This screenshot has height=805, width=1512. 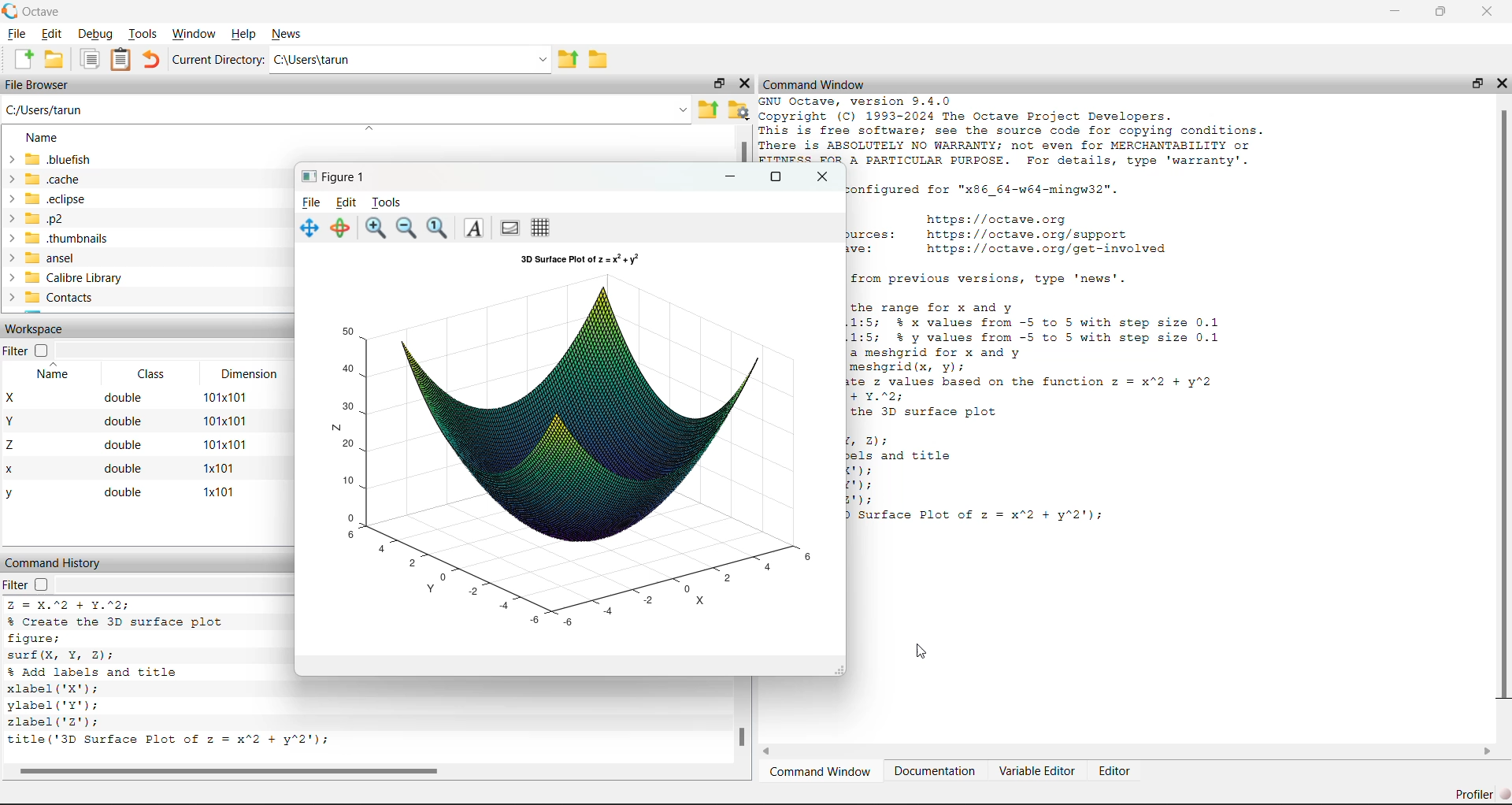 What do you see at coordinates (1504, 419) in the screenshot?
I see `Scroll` at bounding box center [1504, 419].